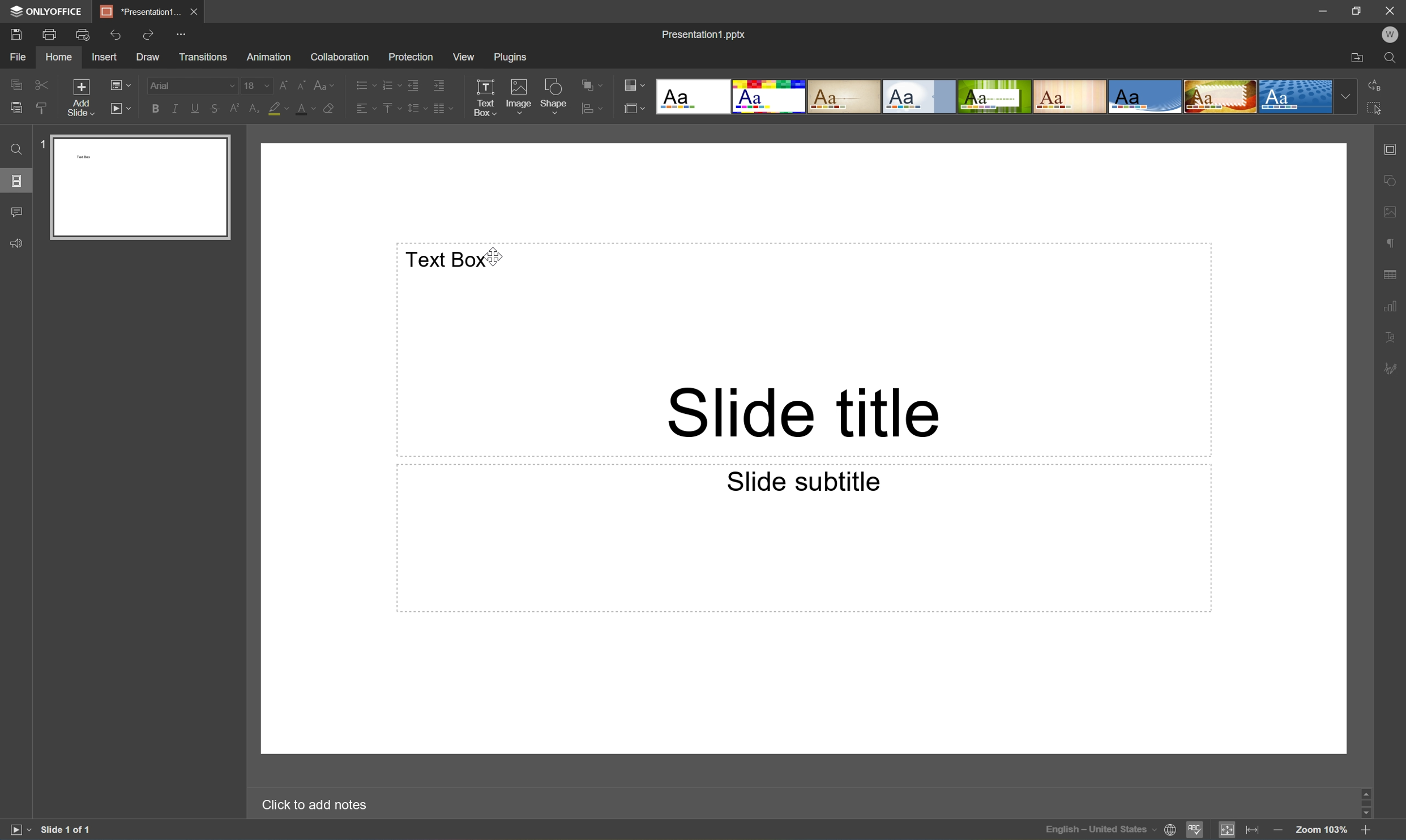 The height and width of the screenshot is (840, 1406). What do you see at coordinates (1369, 831) in the screenshot?
I see `Zoom in` at bounding box center [1369, 831].